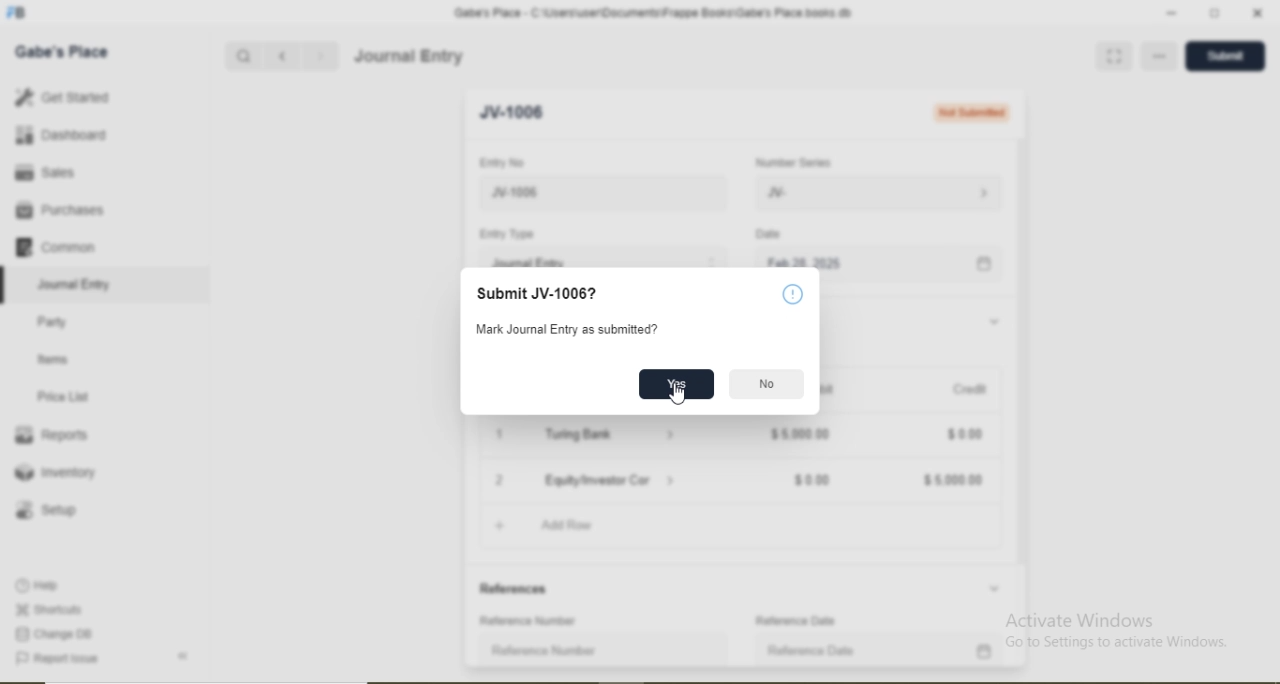  What do you see at coordinates (984, 265) in the screenshot?
I see `Calendar` at bounding box center [984, 265].